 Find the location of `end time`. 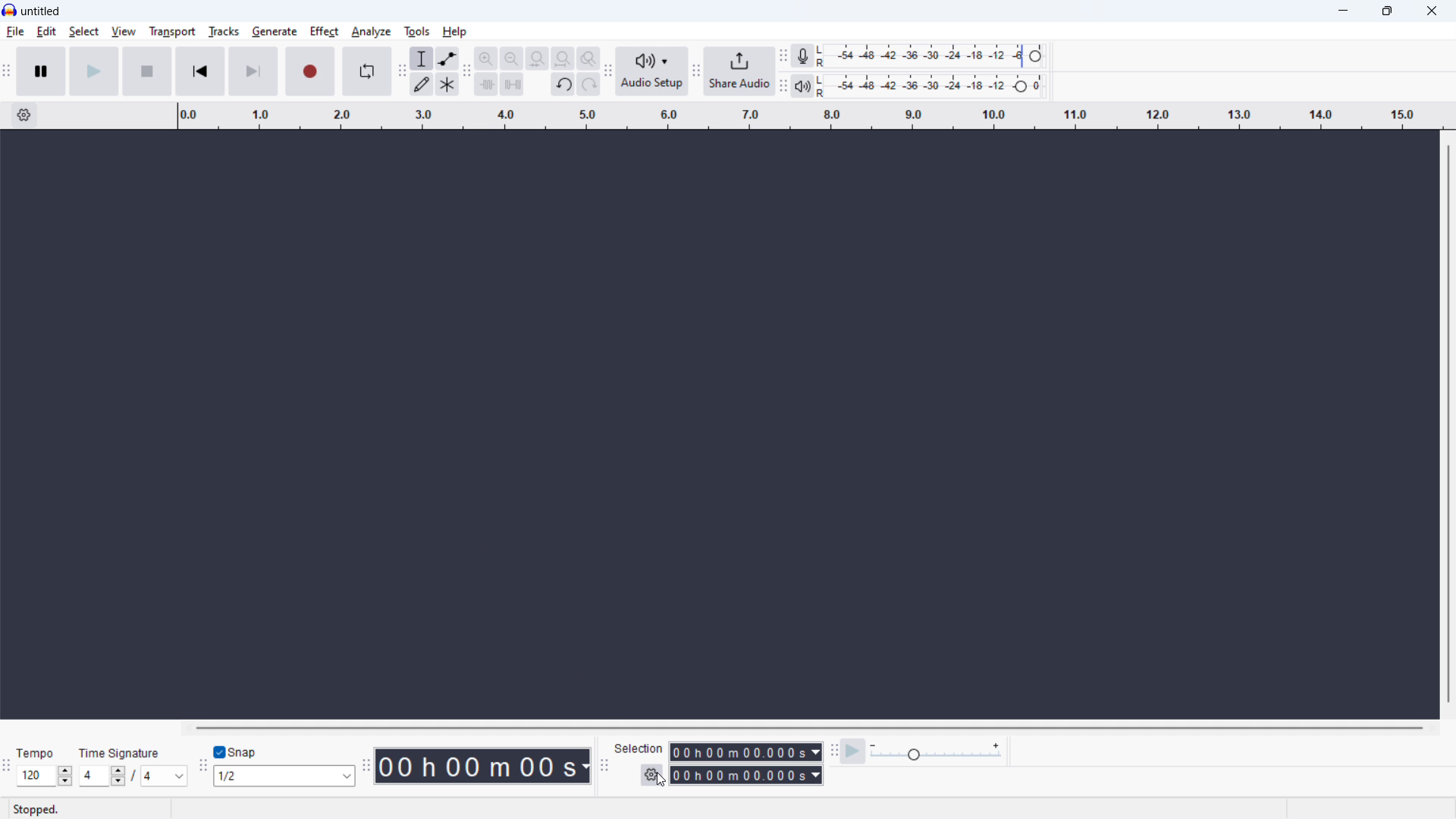

end time is located at coordinates (747, 776).